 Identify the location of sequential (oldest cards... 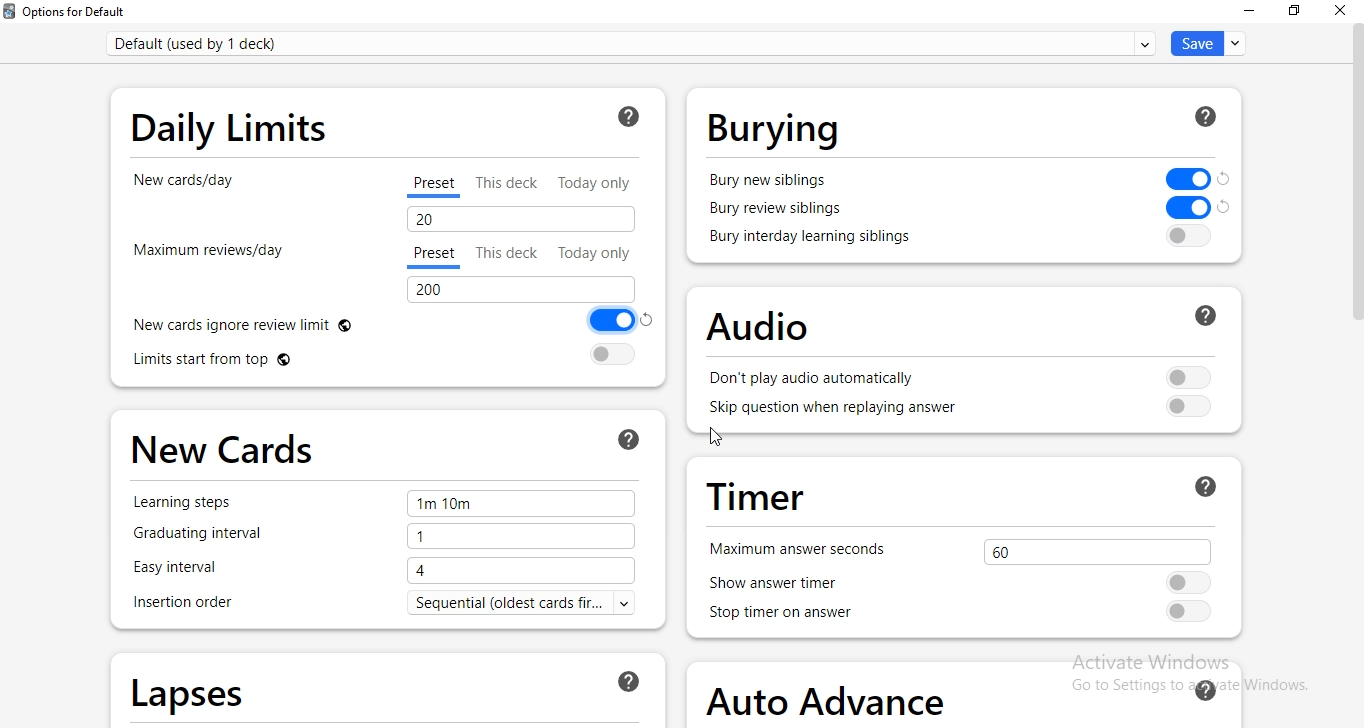
(533, 604).